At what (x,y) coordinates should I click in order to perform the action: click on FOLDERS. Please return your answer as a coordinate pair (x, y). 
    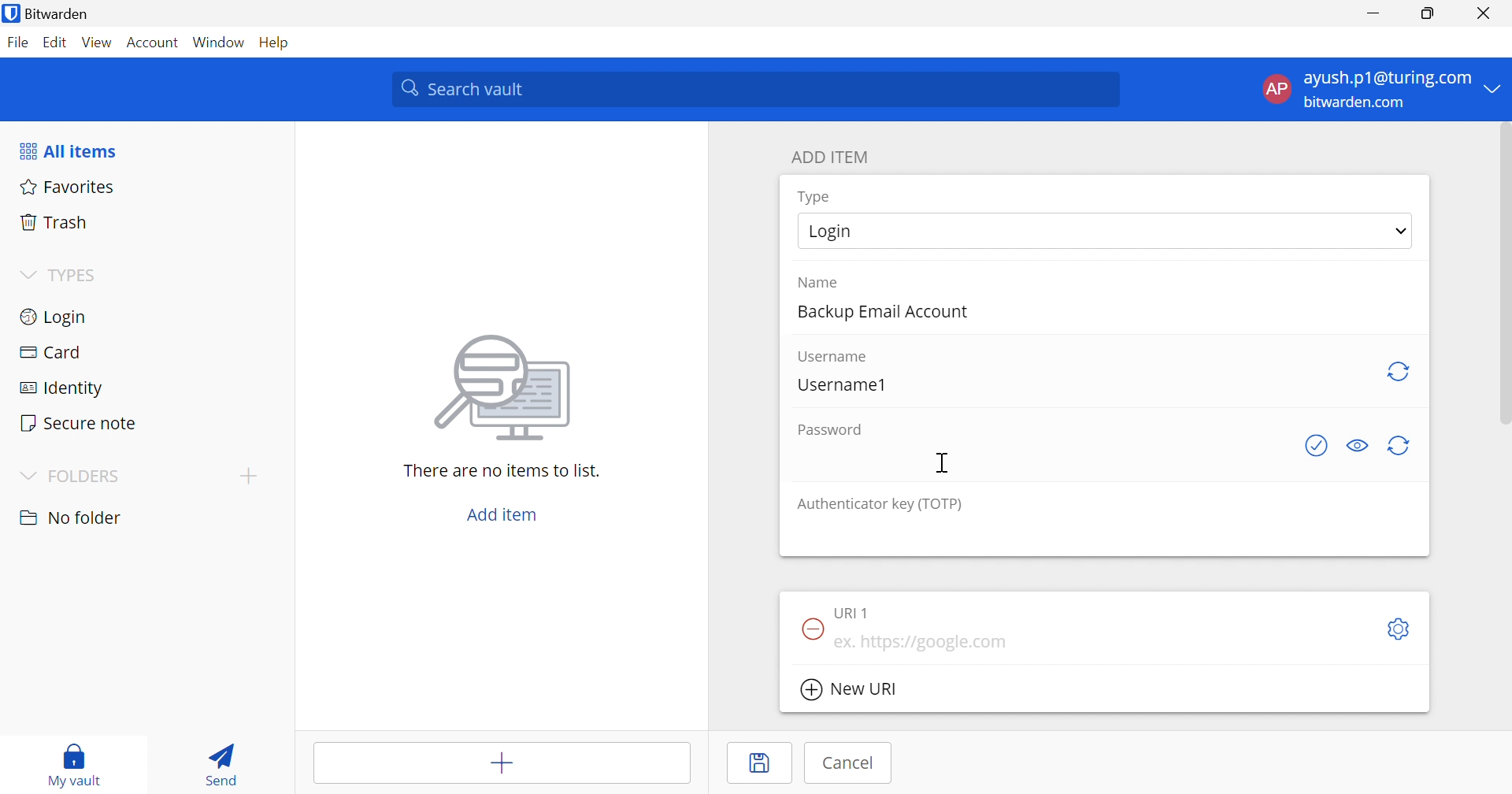
    Looking at the image, I should click on (72, 475).